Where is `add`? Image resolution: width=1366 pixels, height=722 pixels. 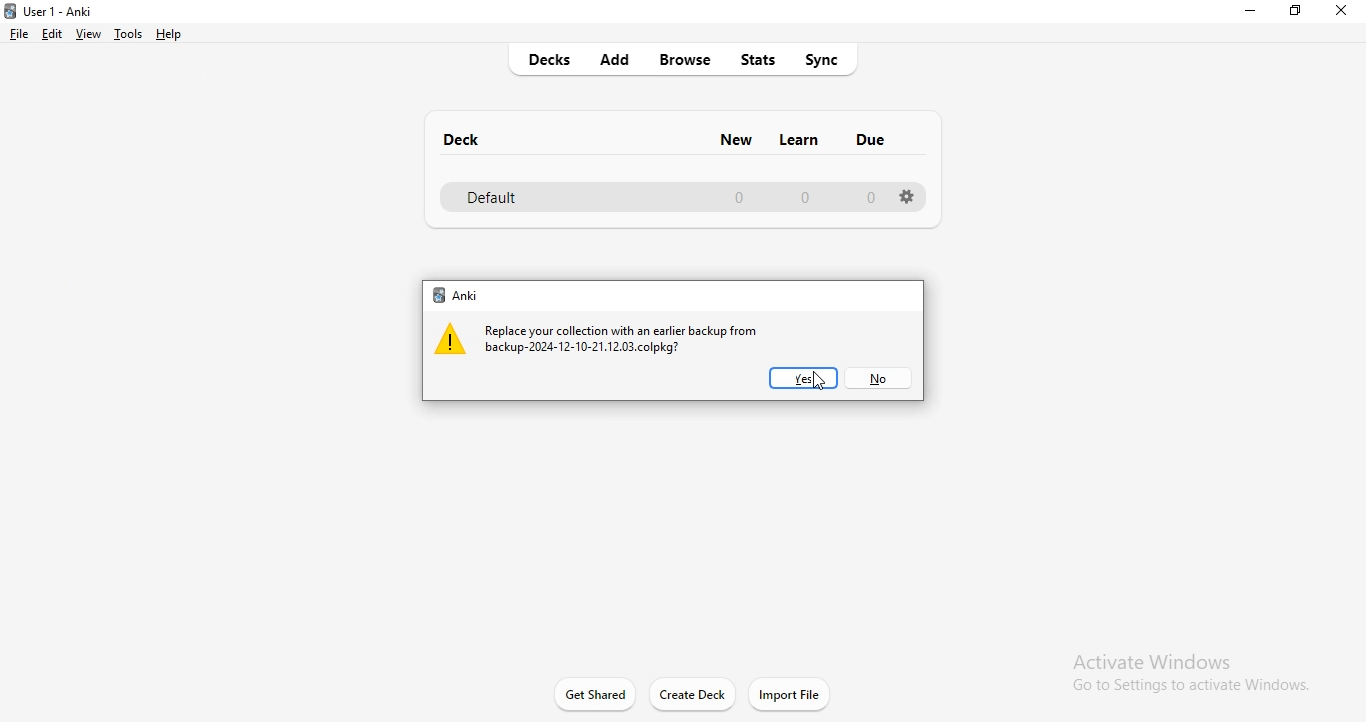 add is located at coordinates (619, 59).